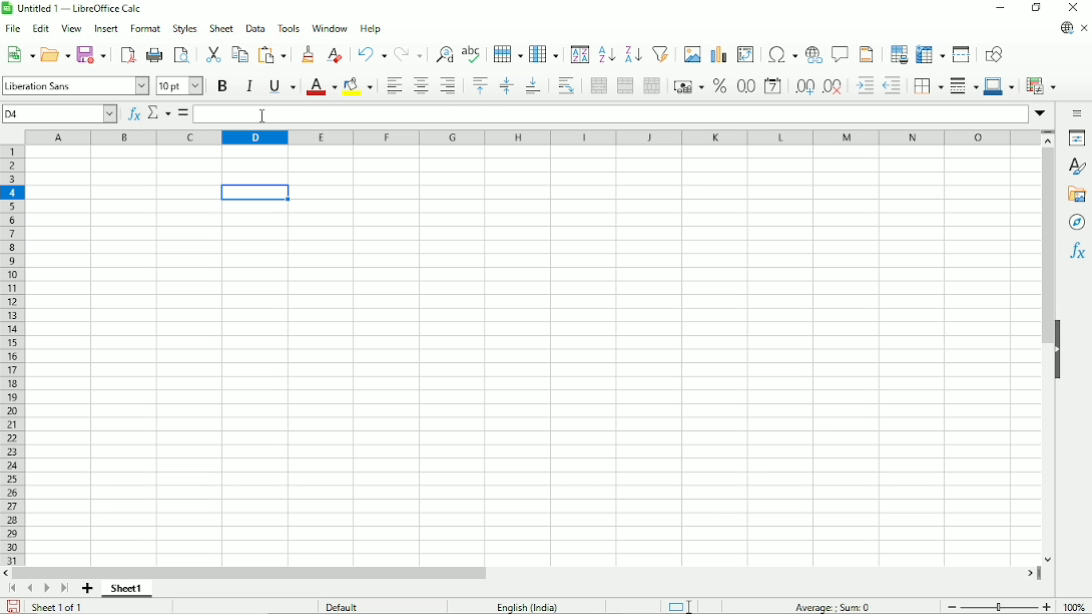  What do you see at coordinates (185, 28) in the screenshot?
I see `Style` at bounding box center [185, 28].